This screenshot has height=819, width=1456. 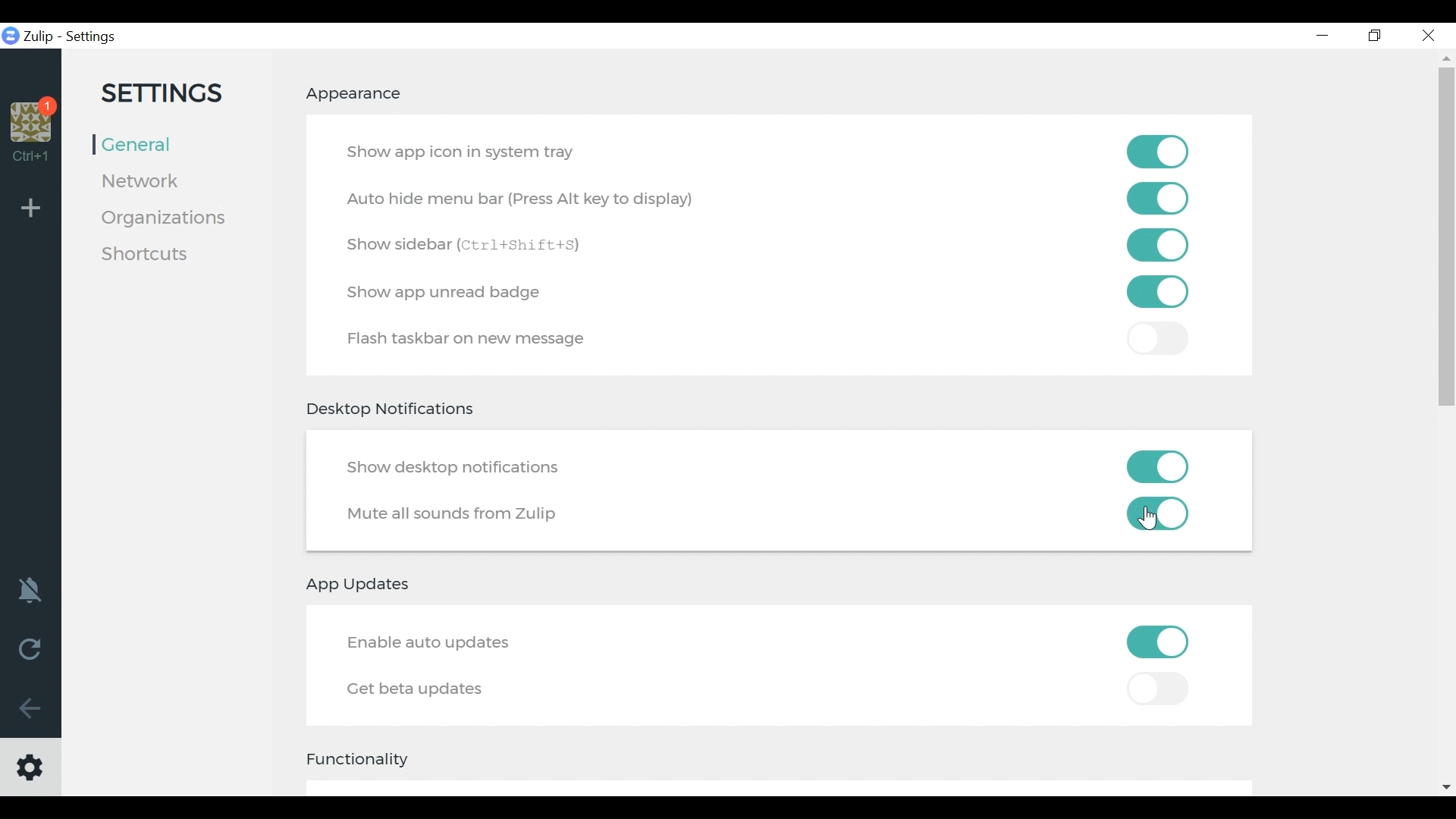 I want to click on notification, so click(x=31, y=588).